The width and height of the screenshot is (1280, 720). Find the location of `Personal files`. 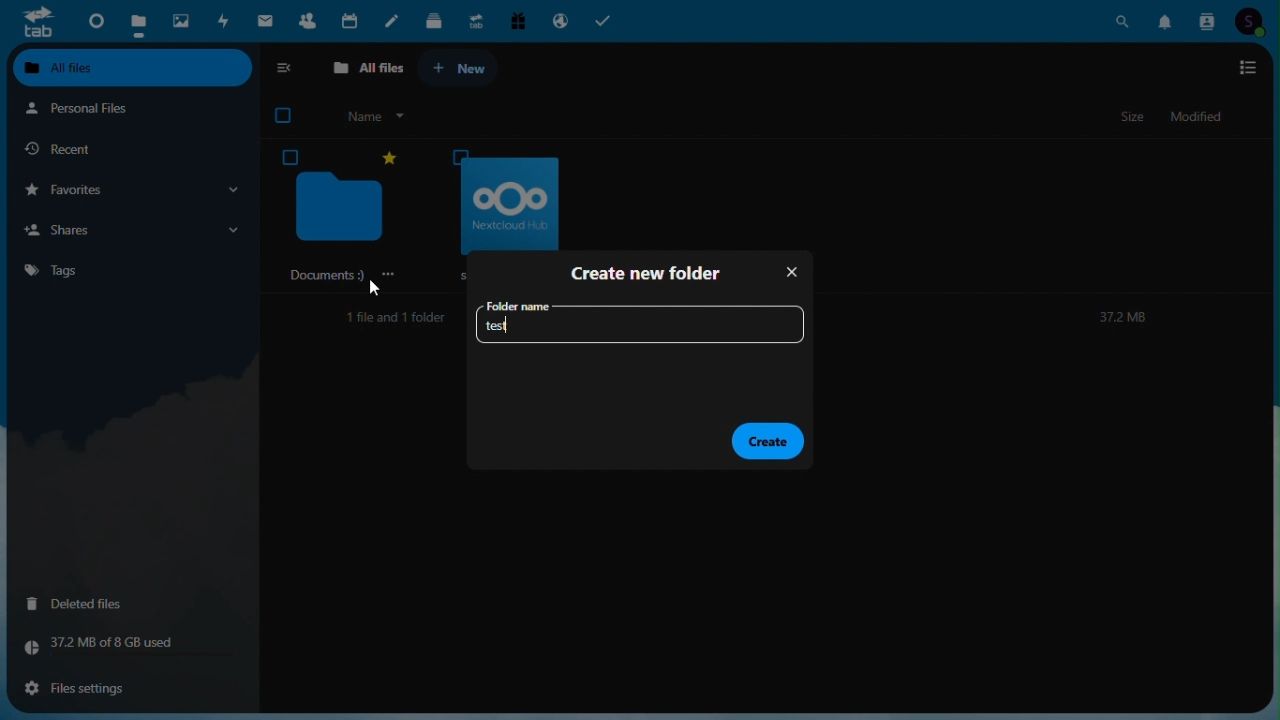

Personal files is located at coordinates (129, 108).